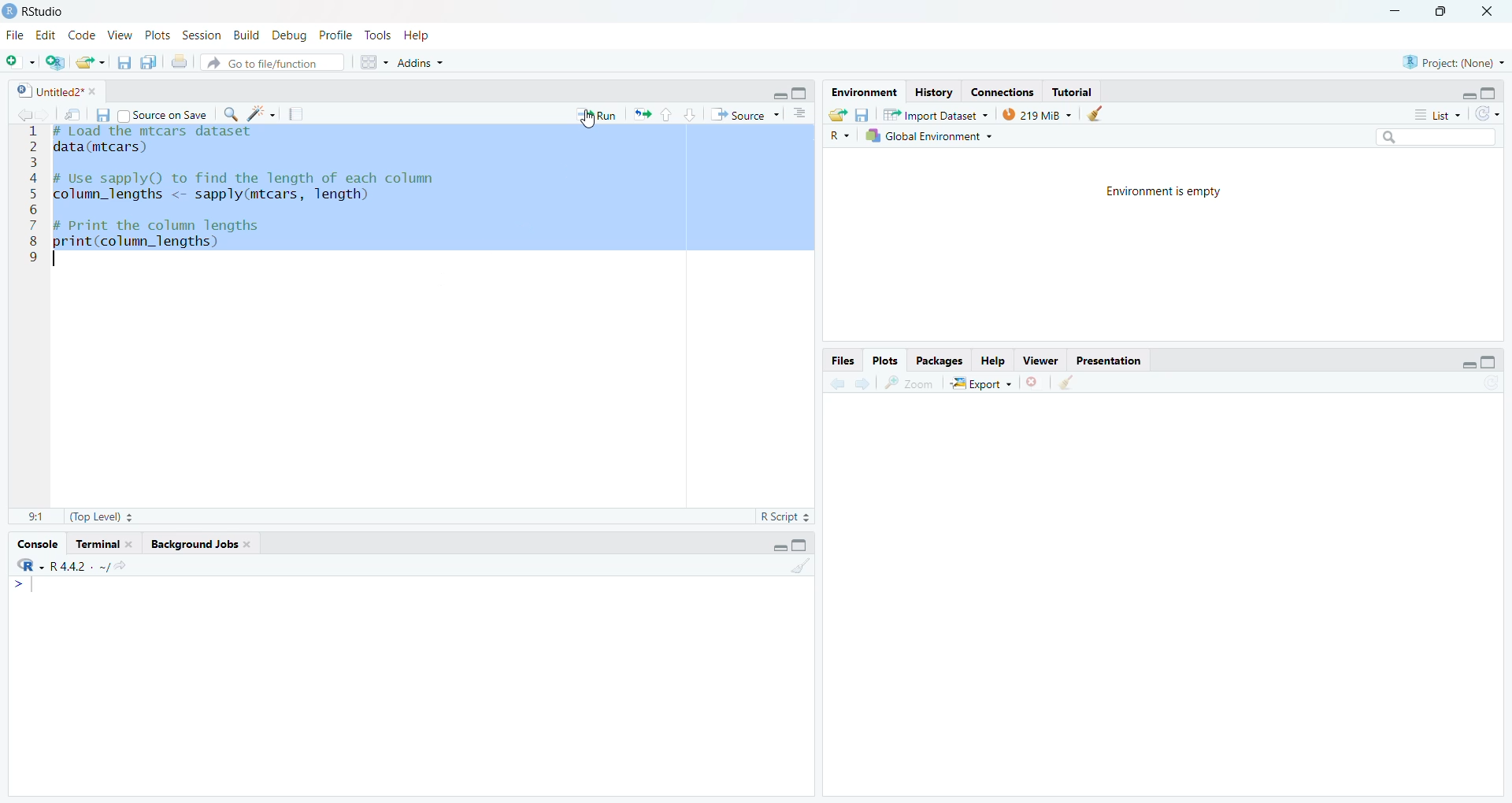 The width and height of the screenshot is (1512, 803). Describe the element at coordinates (45, 116) in the screenshot. I see `Go to next source location` at that location.